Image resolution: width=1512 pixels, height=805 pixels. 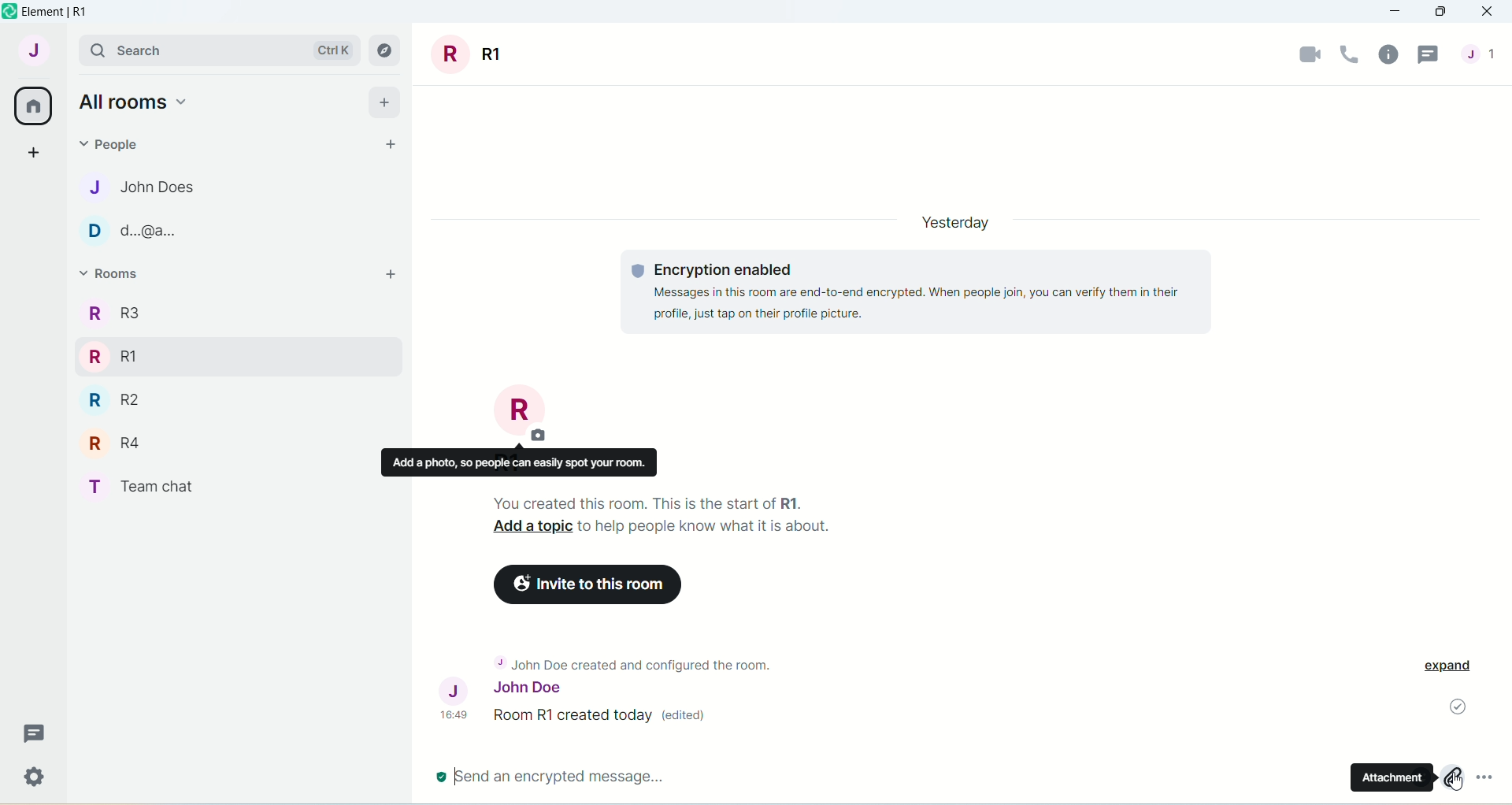 What do you see at coordinates (1484, 61) in the screenshot?
I see `people` at bounding box center [1484, 61].